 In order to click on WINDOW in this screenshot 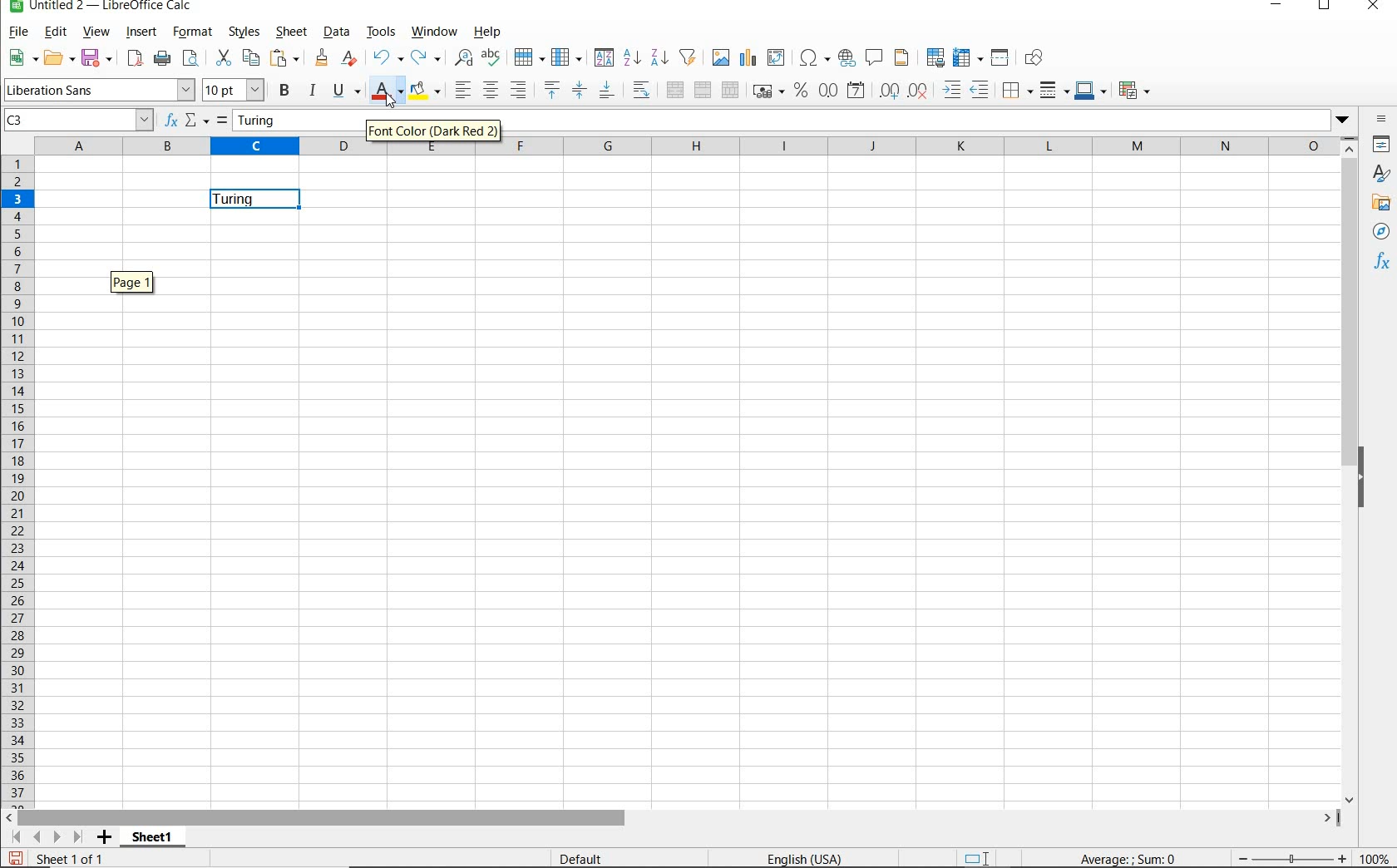, I will do `click(437, 33)`.